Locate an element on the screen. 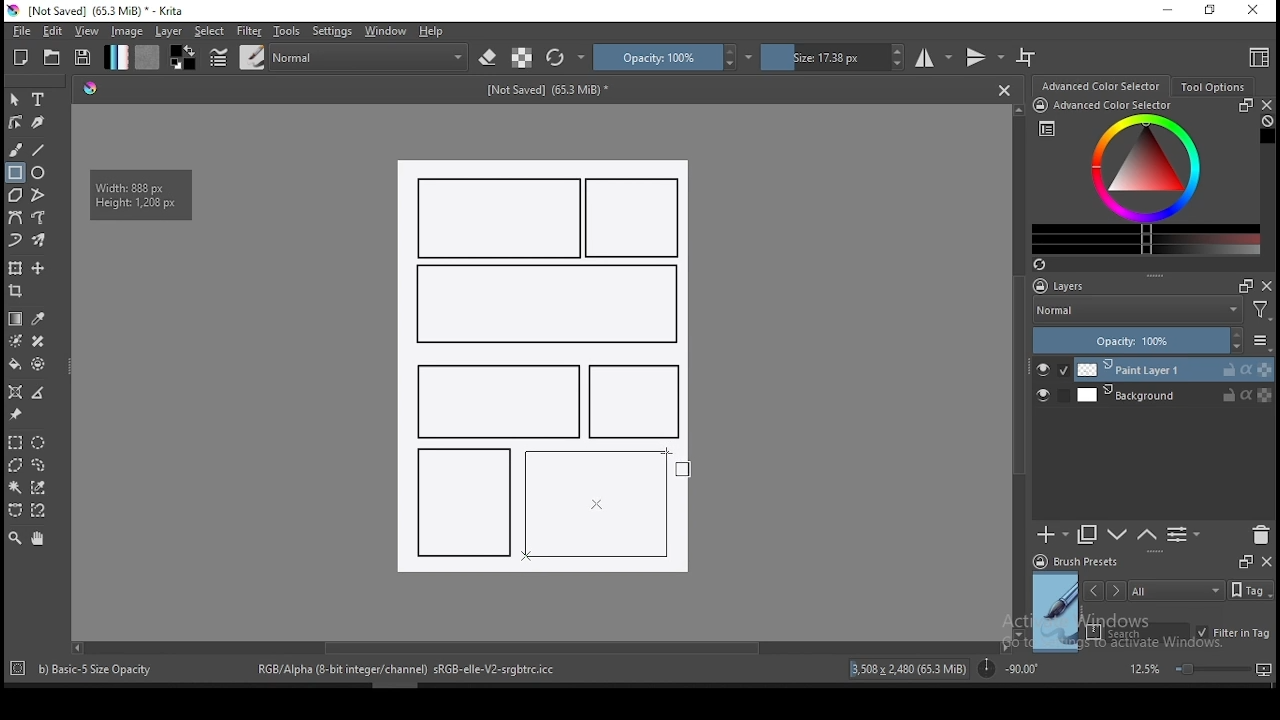  wrap around mode is located at coordinates (1027, 57).